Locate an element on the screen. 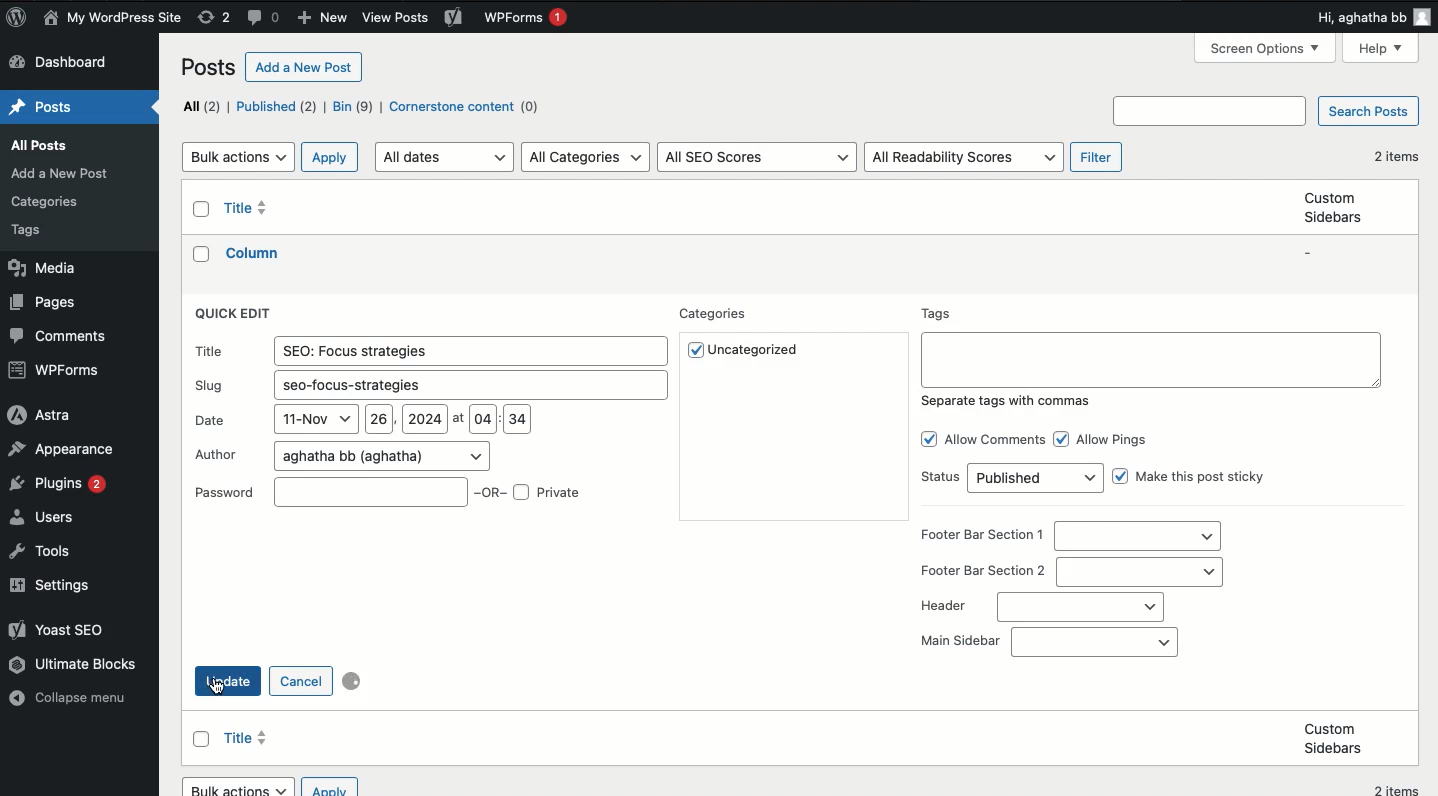 The image size is (1438, 796). Allow comments is located at coordinates (997, 440).